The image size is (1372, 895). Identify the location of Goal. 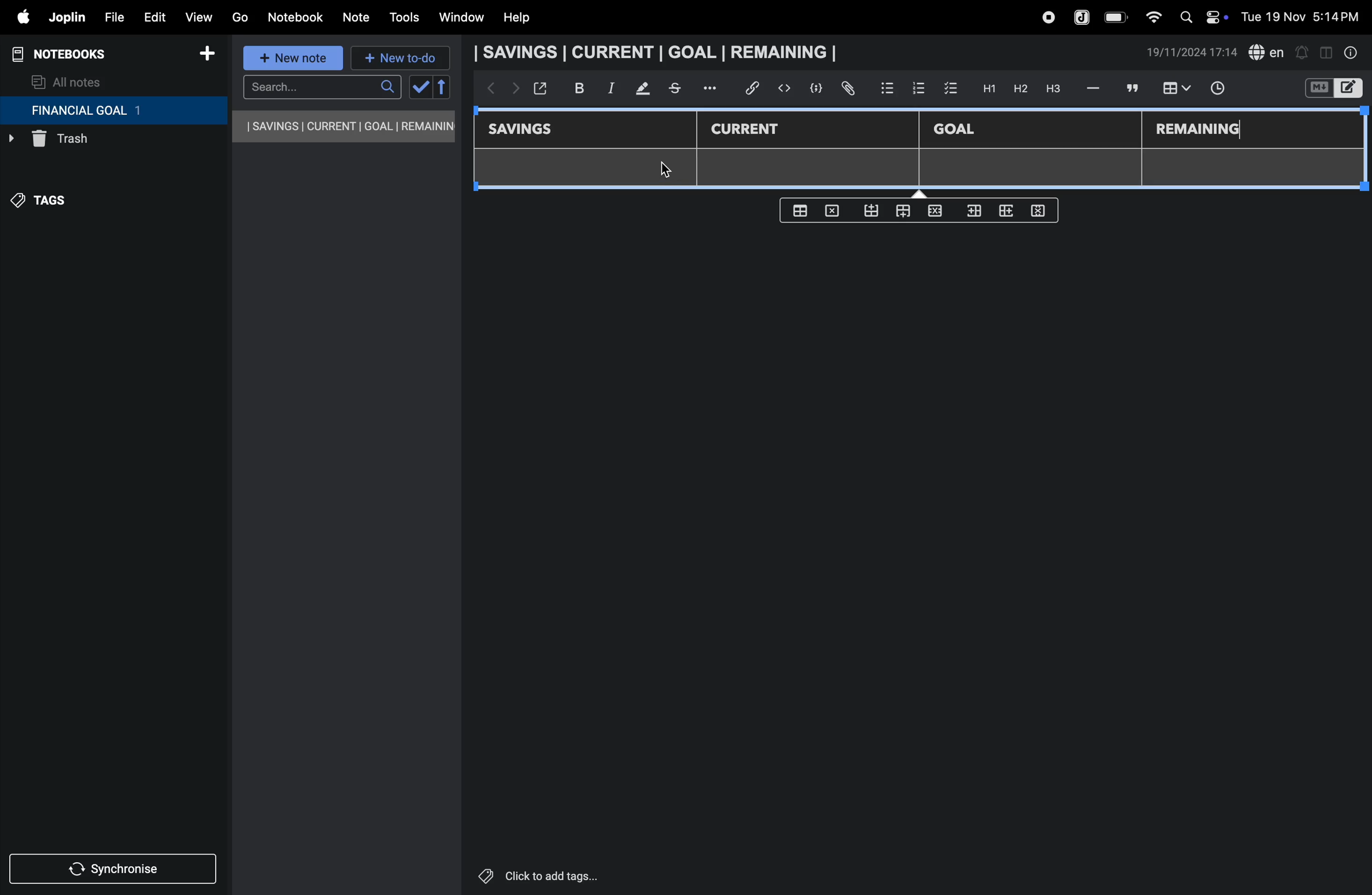
(962, 130).